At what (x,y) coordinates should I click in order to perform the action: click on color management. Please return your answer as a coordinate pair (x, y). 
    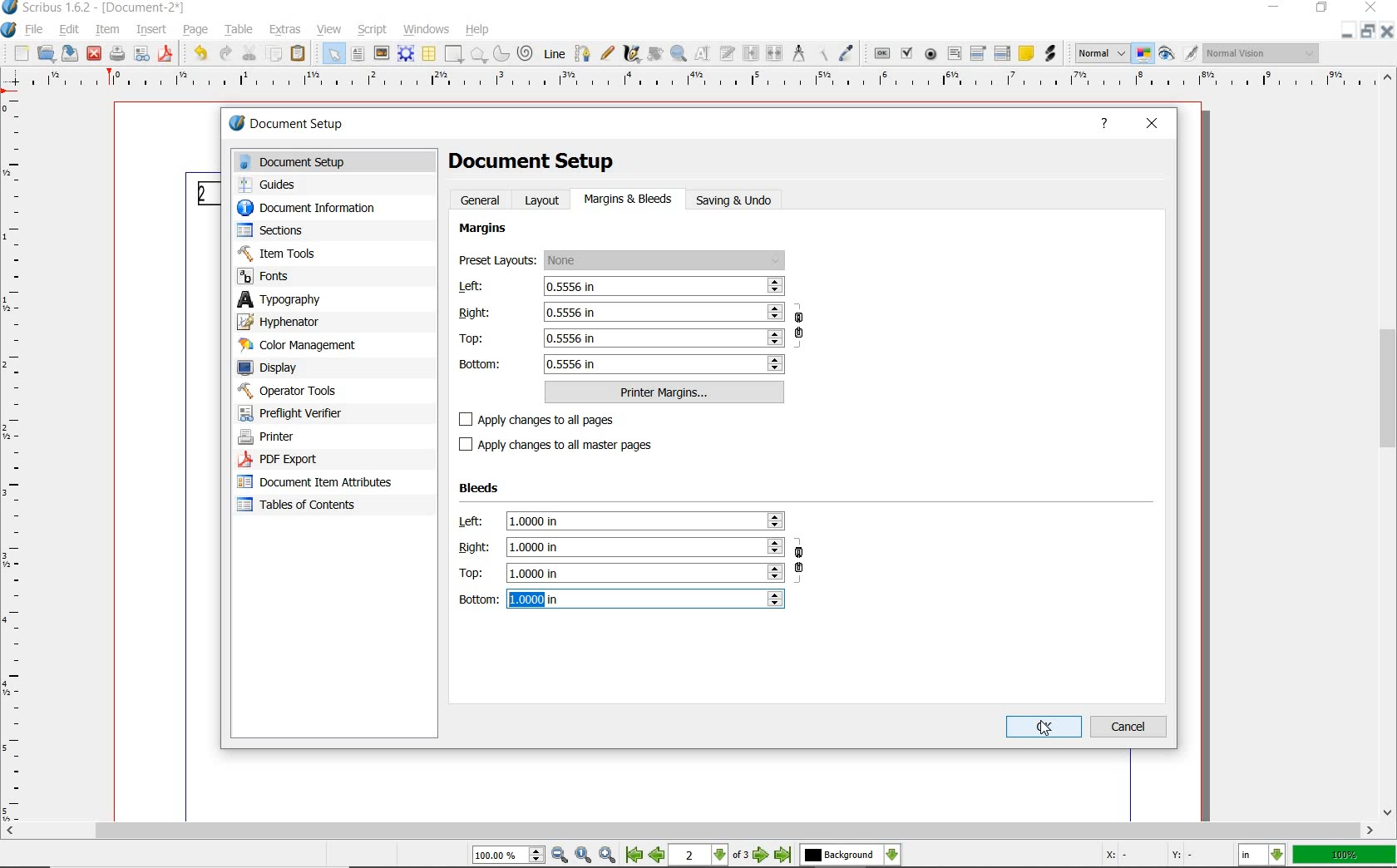
    Looking at the image, I should click on (303, 347).